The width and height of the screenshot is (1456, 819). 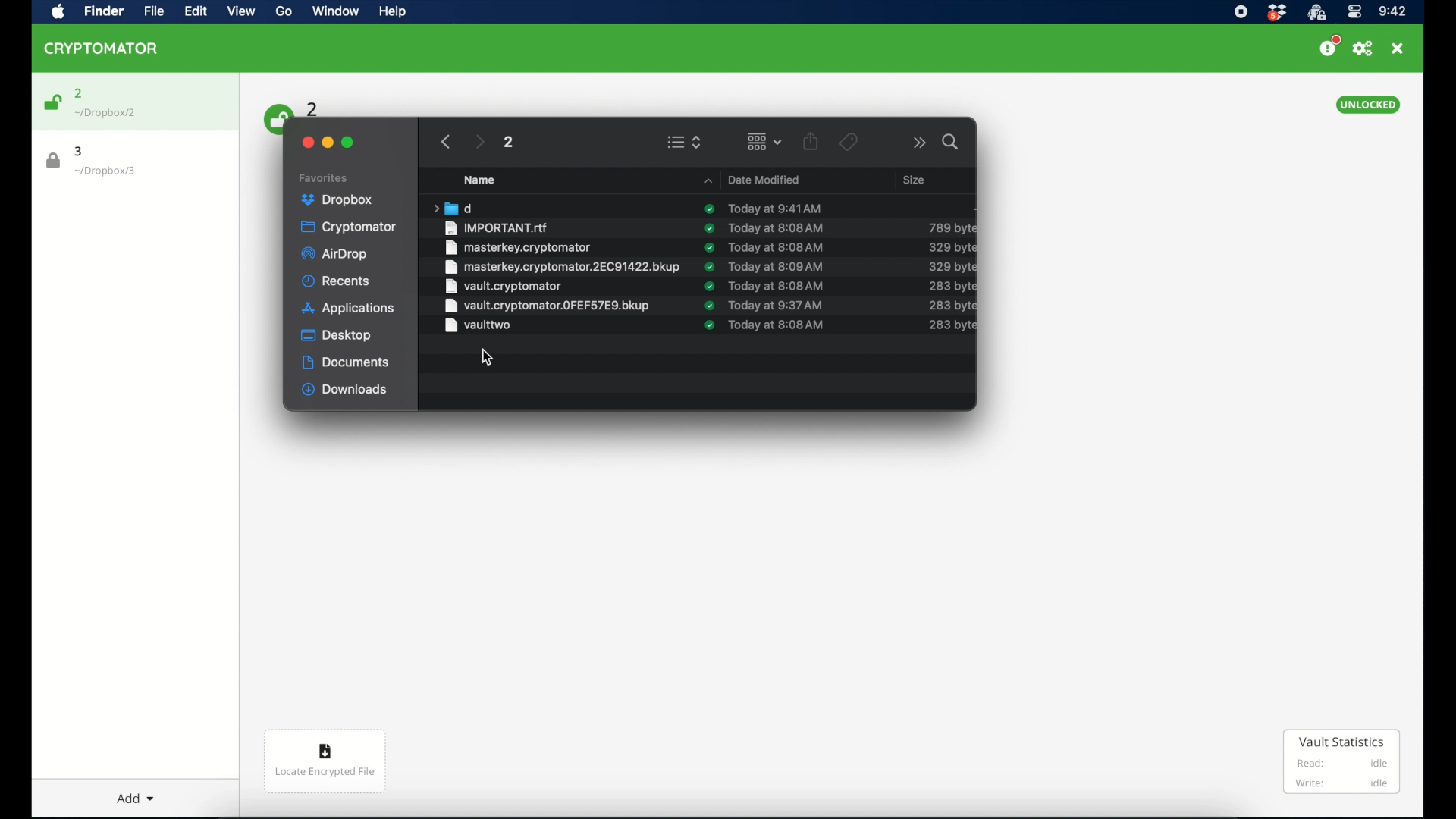 What do you see at coordinates (337, 335) in the screenshot?
I see `desktop` at bounding box center [337, 335].